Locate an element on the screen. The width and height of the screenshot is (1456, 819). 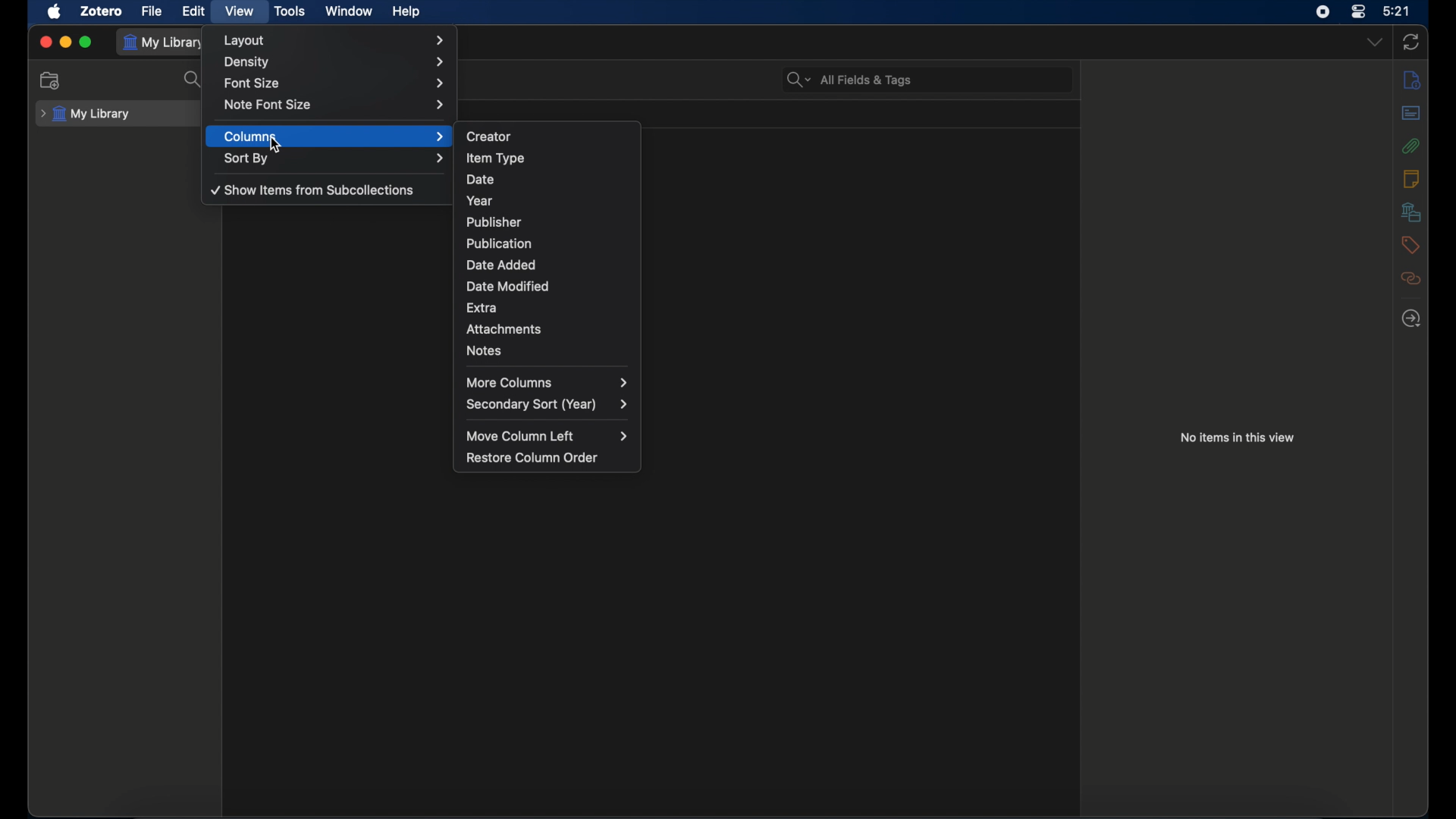
apple icon is located at coordinates (54, 11).